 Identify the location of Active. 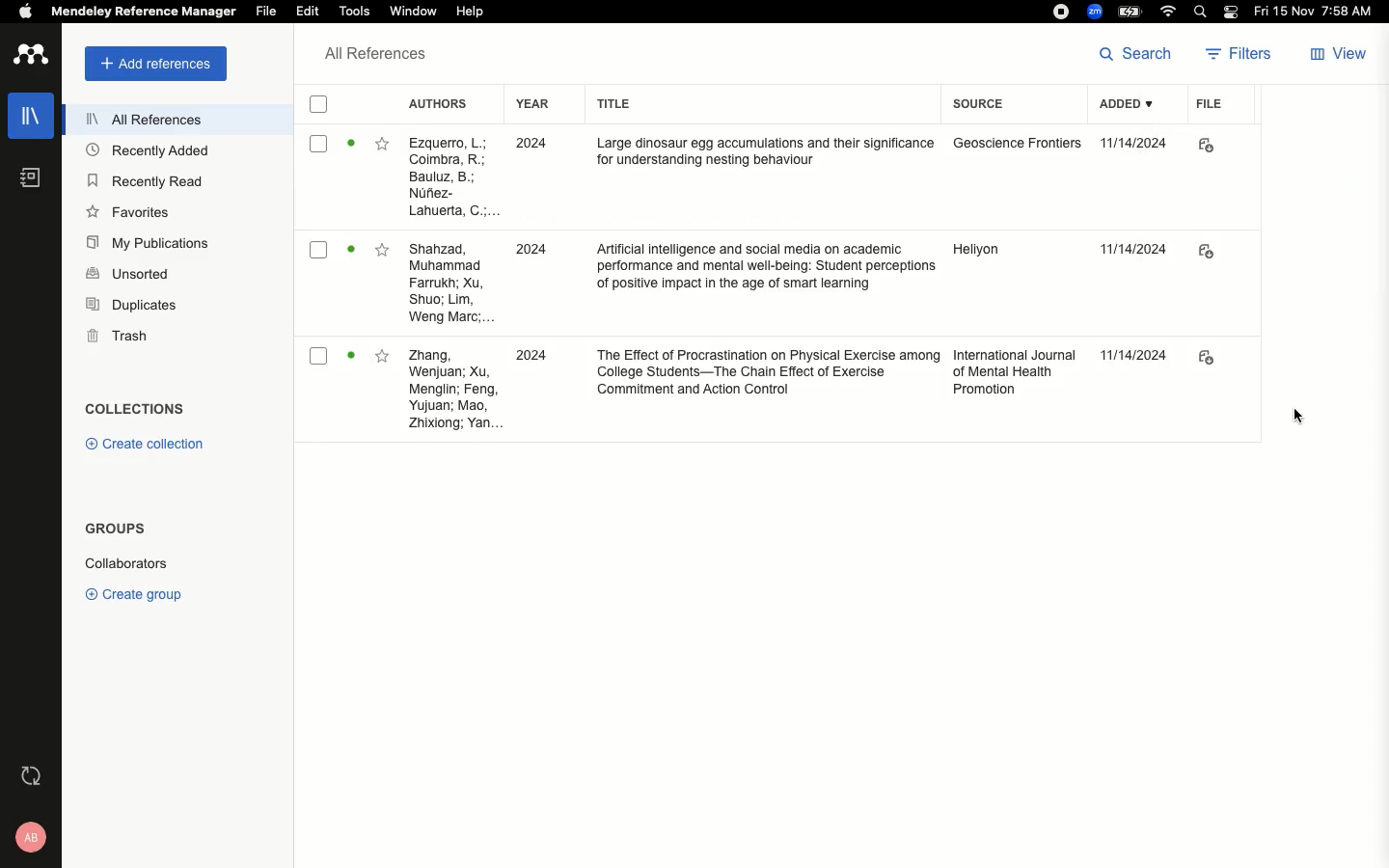
(351, 248).